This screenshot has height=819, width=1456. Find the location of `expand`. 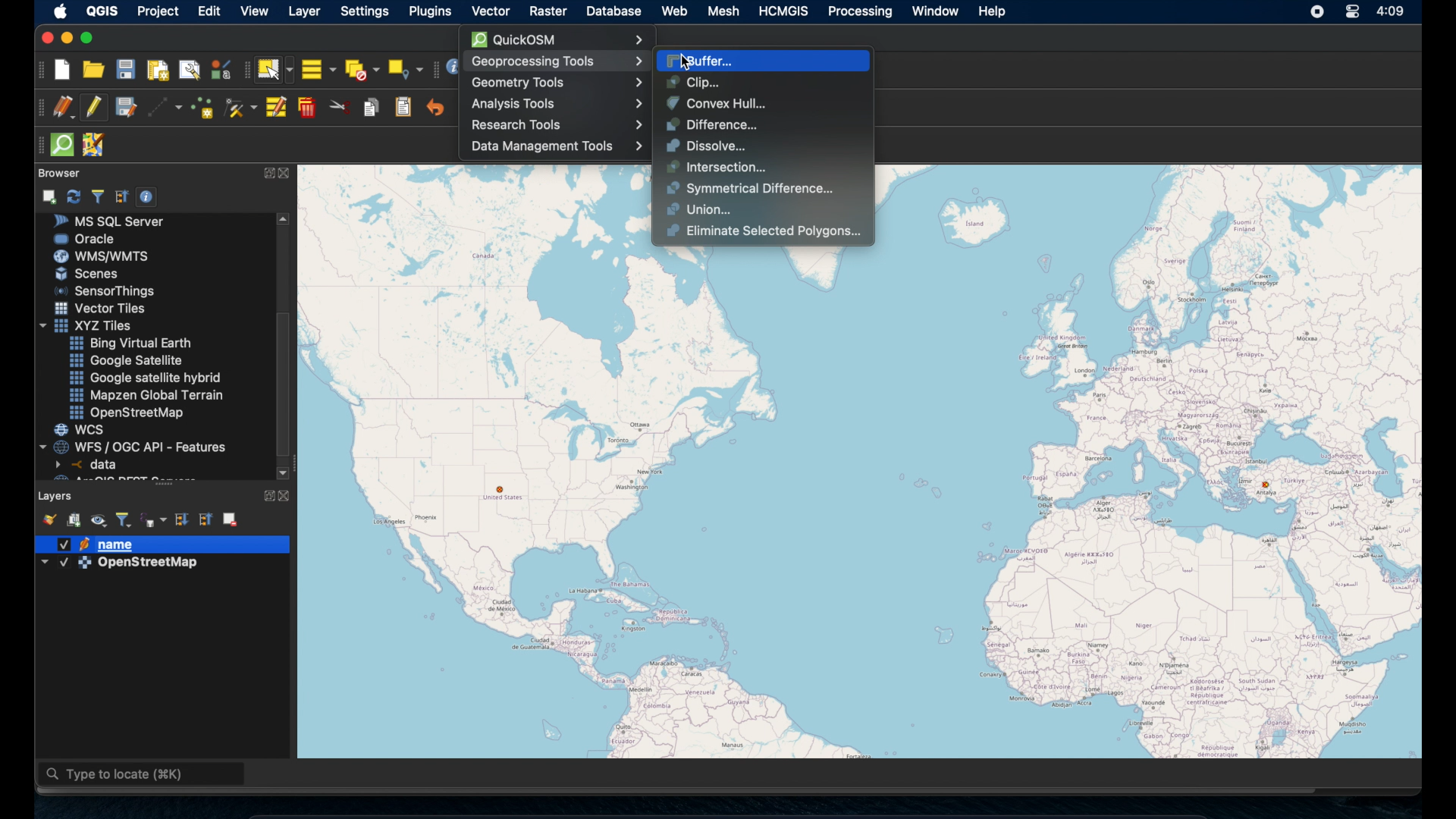

expand is located at coordinates (267, 172).